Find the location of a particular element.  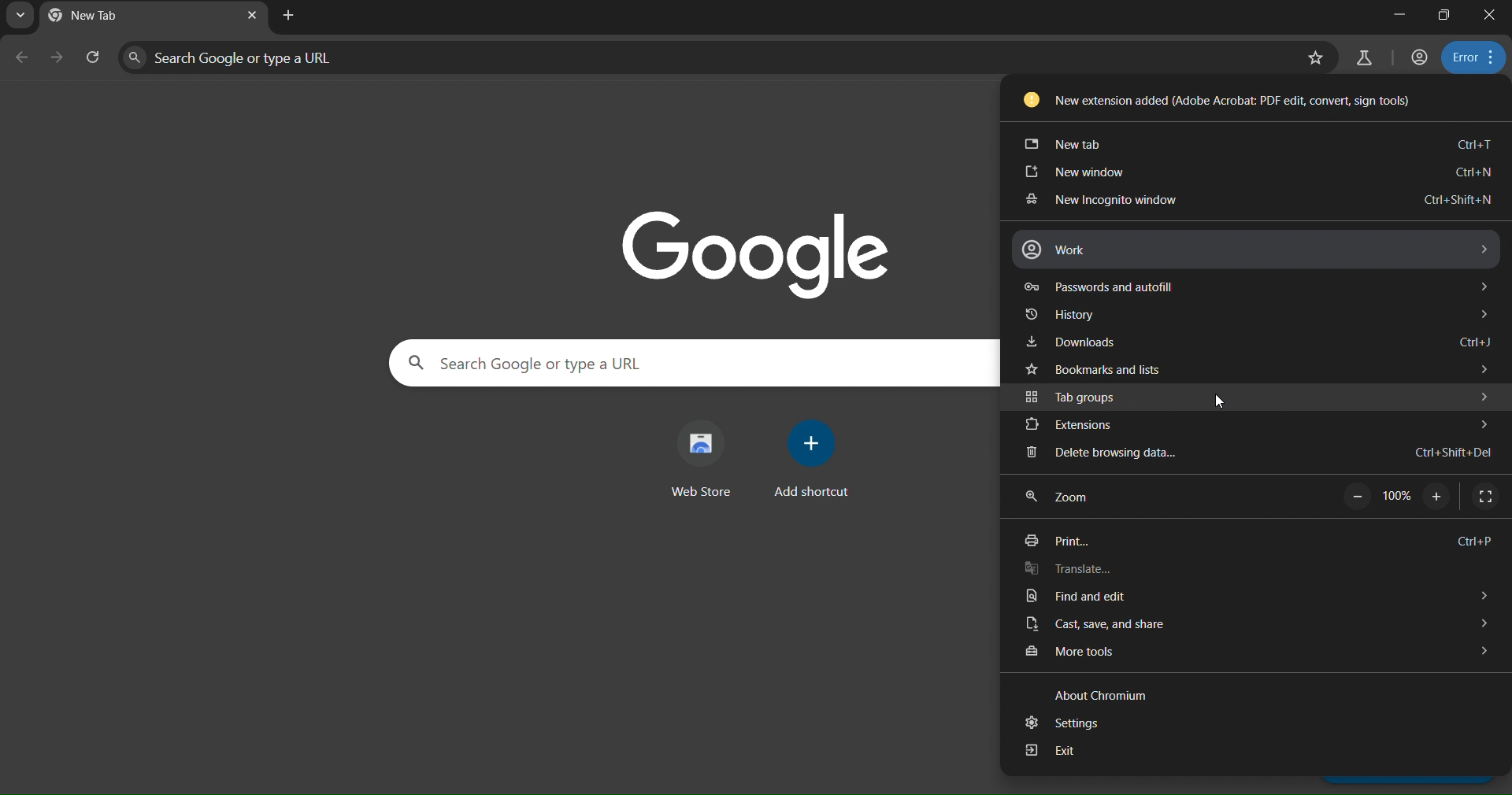

reload is located at coordinates (94, 54).